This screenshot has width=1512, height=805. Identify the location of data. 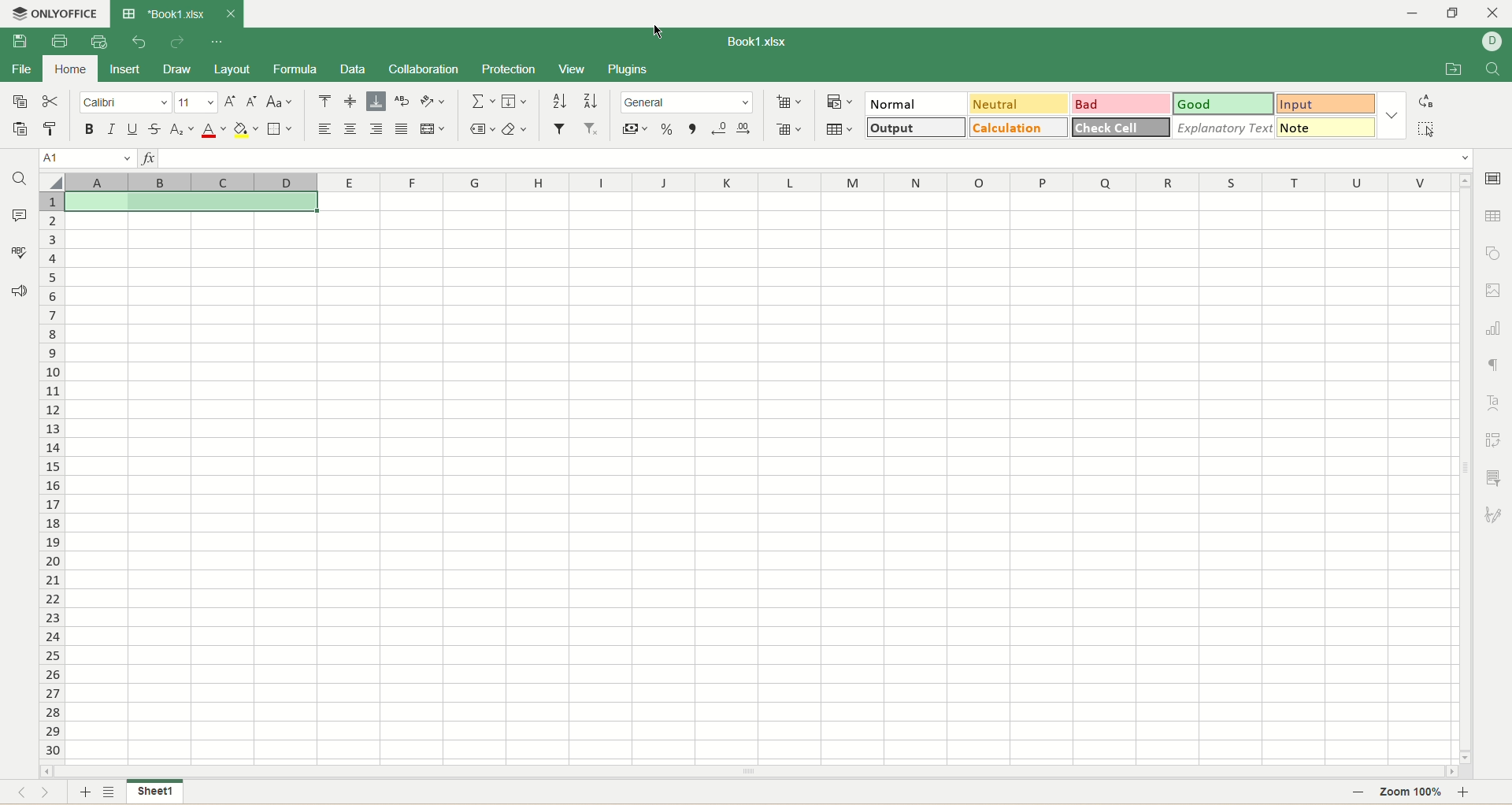
(351, 71).